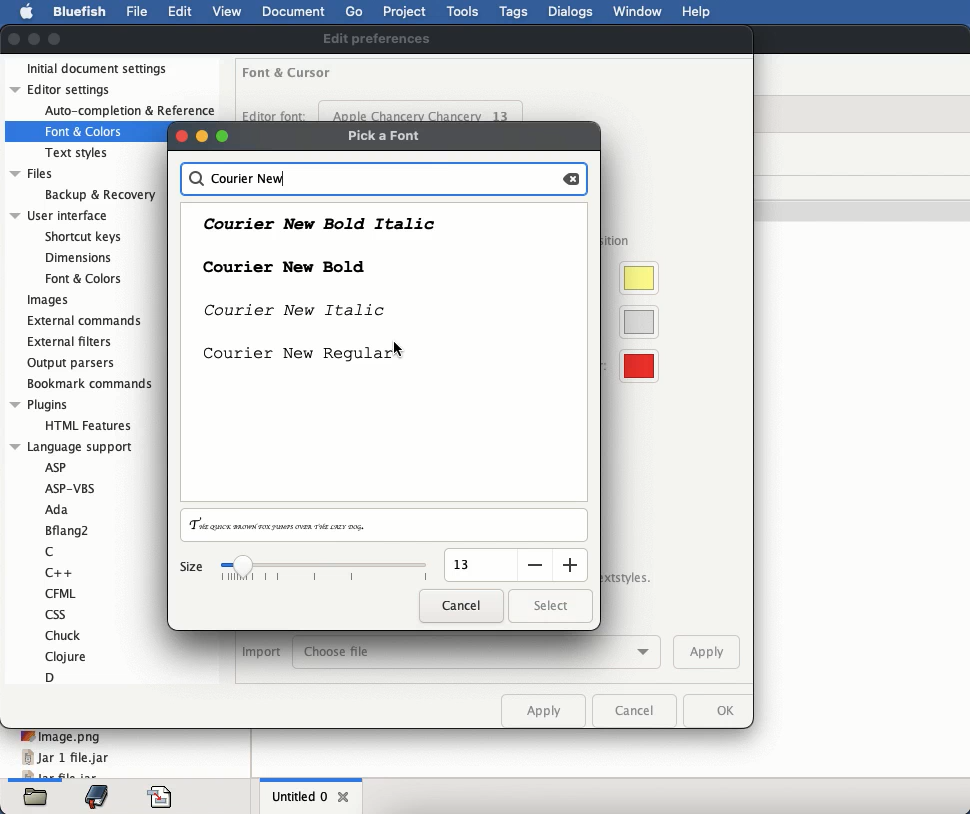  What do you see at coordinates (136, 11) in the screenshot?
I see `file` at bounding box center [136, 11].